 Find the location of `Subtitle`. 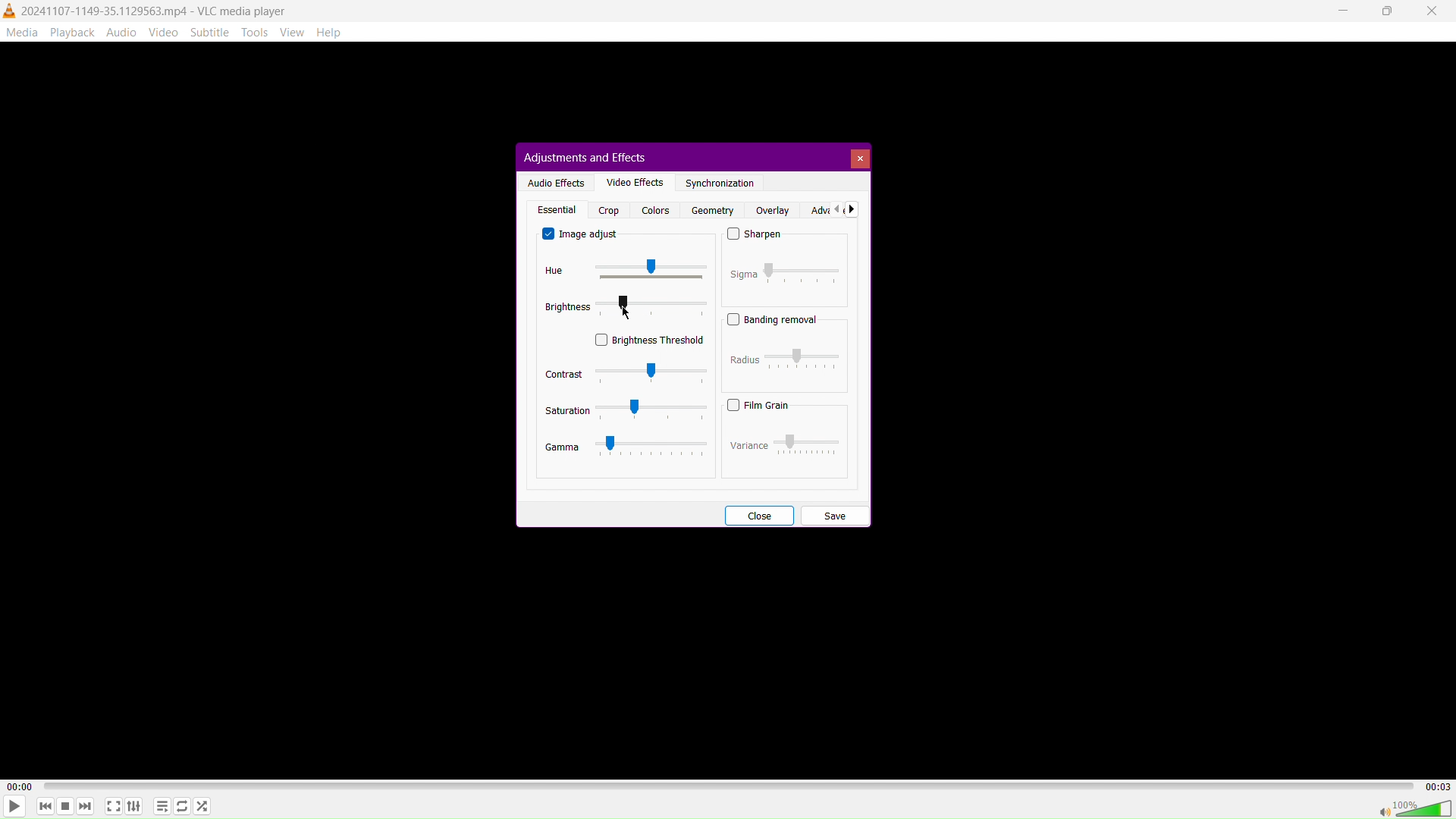

Subtitle is located at coordinates (211, 32).